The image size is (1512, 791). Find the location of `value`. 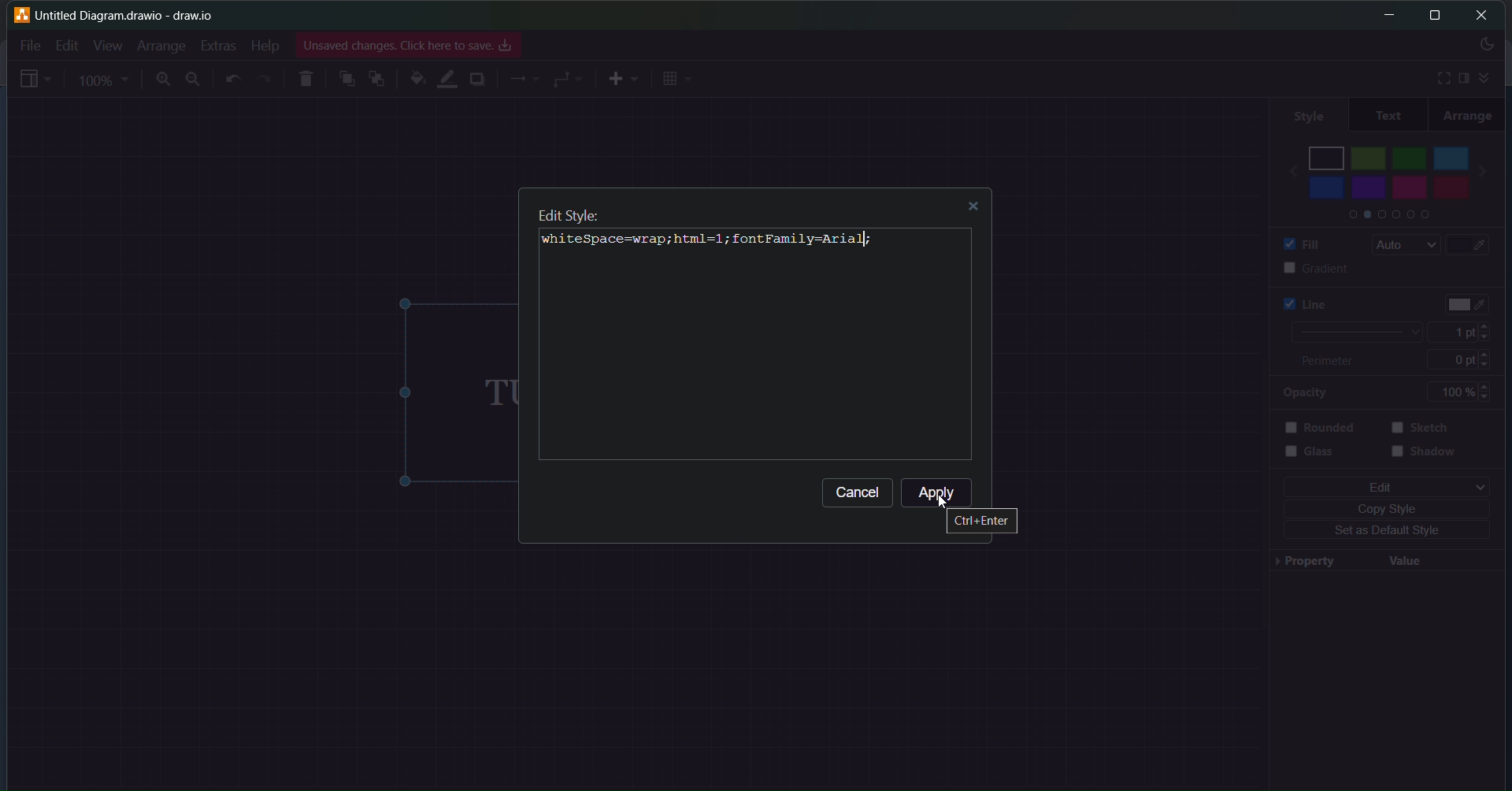

value is located at coordinates (1406, 559).